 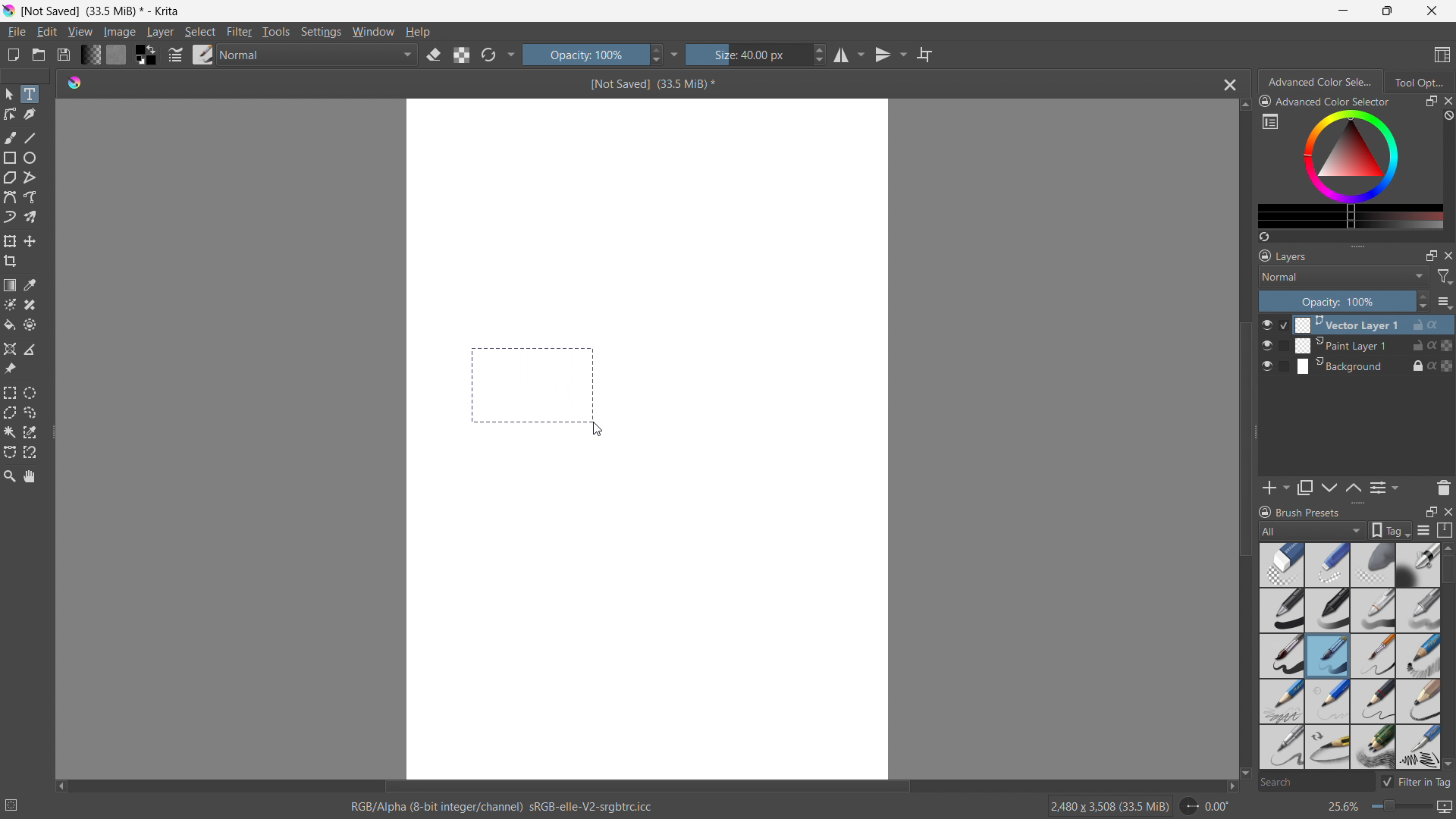 I want to click on vertical scrollbar, so click(x=1241, y=439).